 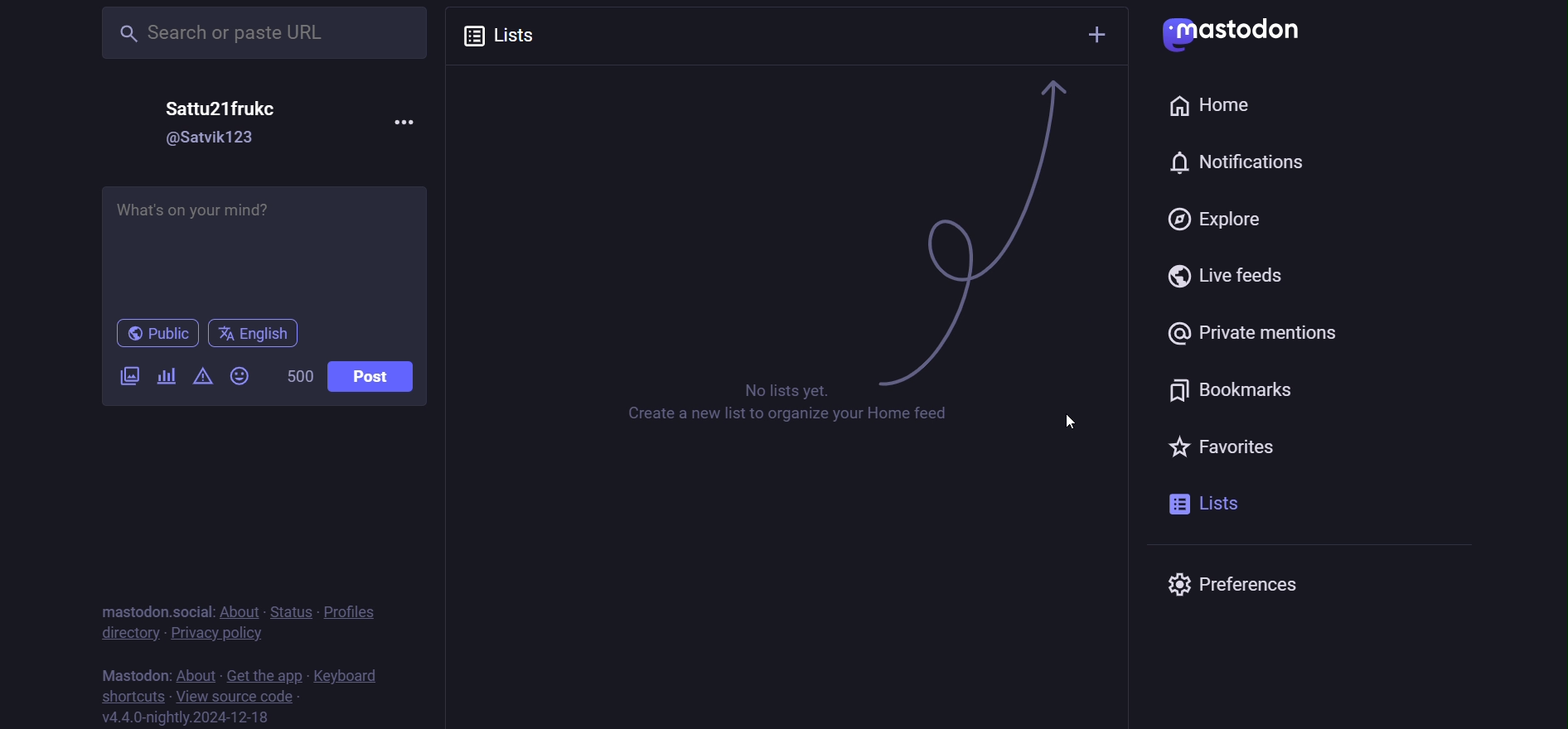 What do you see at coordinates (410, 121) in the screenshot?
I see `more` at bounding box center [410, 121].